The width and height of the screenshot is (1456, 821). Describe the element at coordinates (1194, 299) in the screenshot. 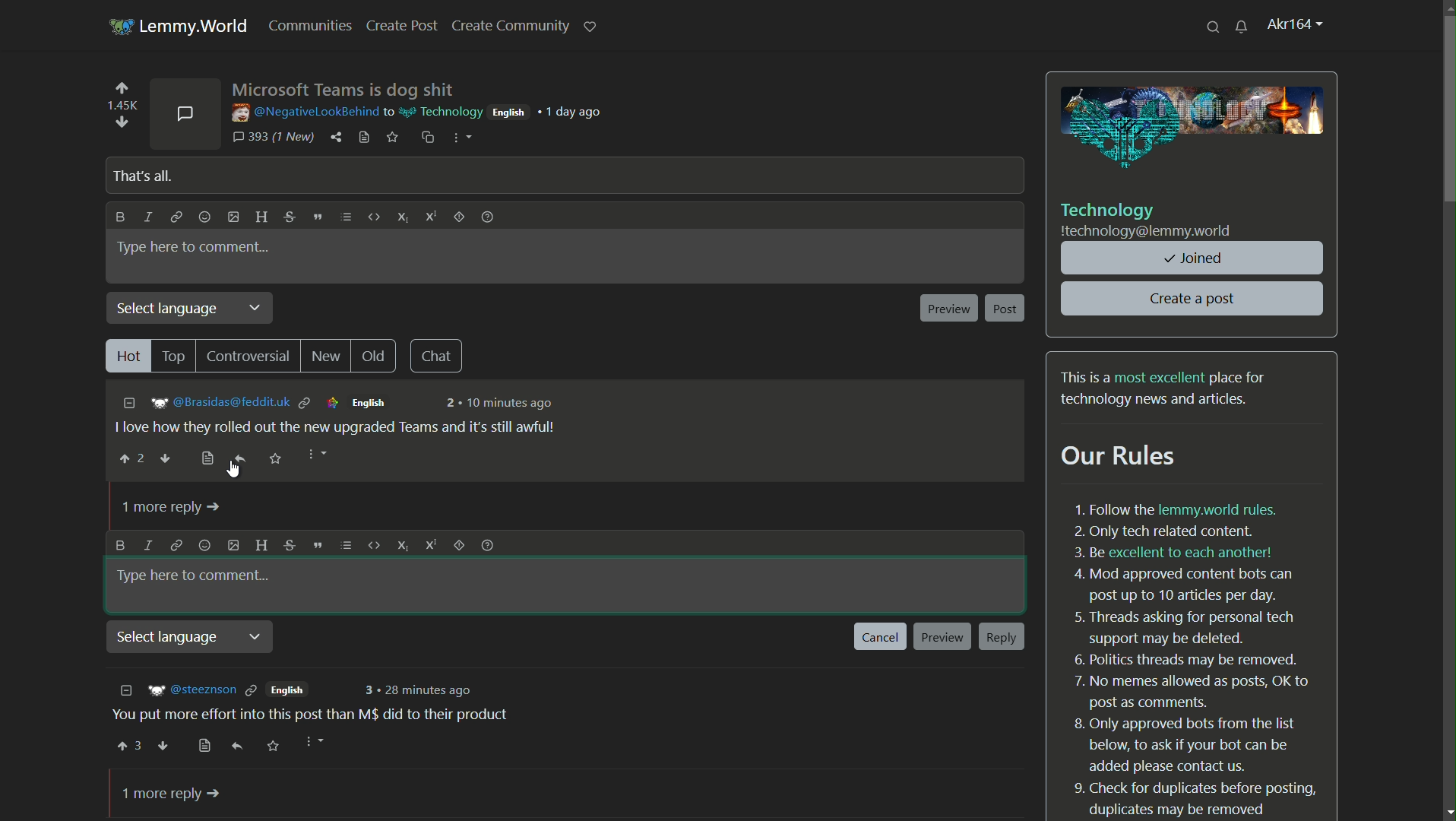

I see `create a post` at that location.